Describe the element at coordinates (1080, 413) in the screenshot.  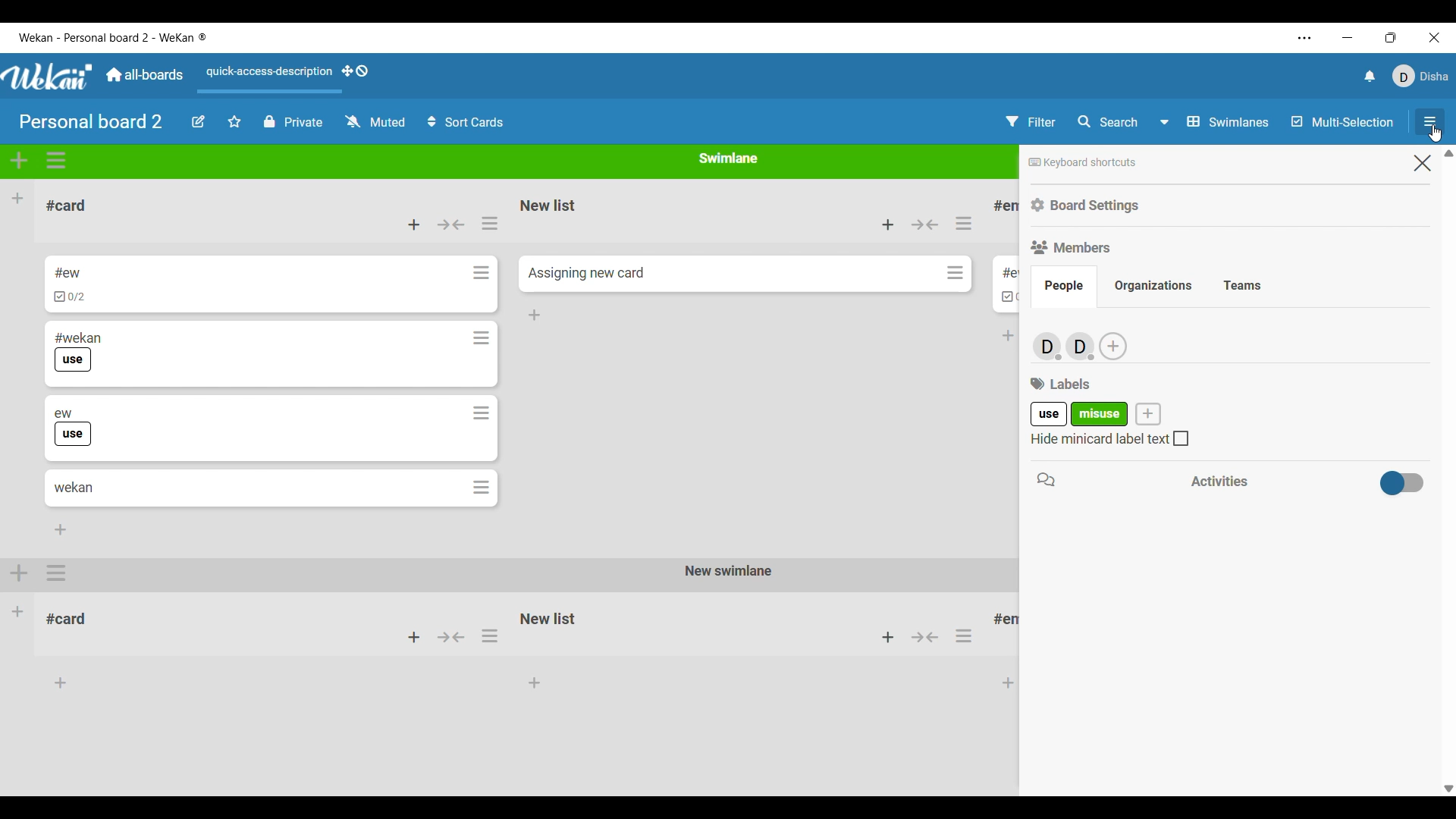
I see `Labels used in current board` at that location.